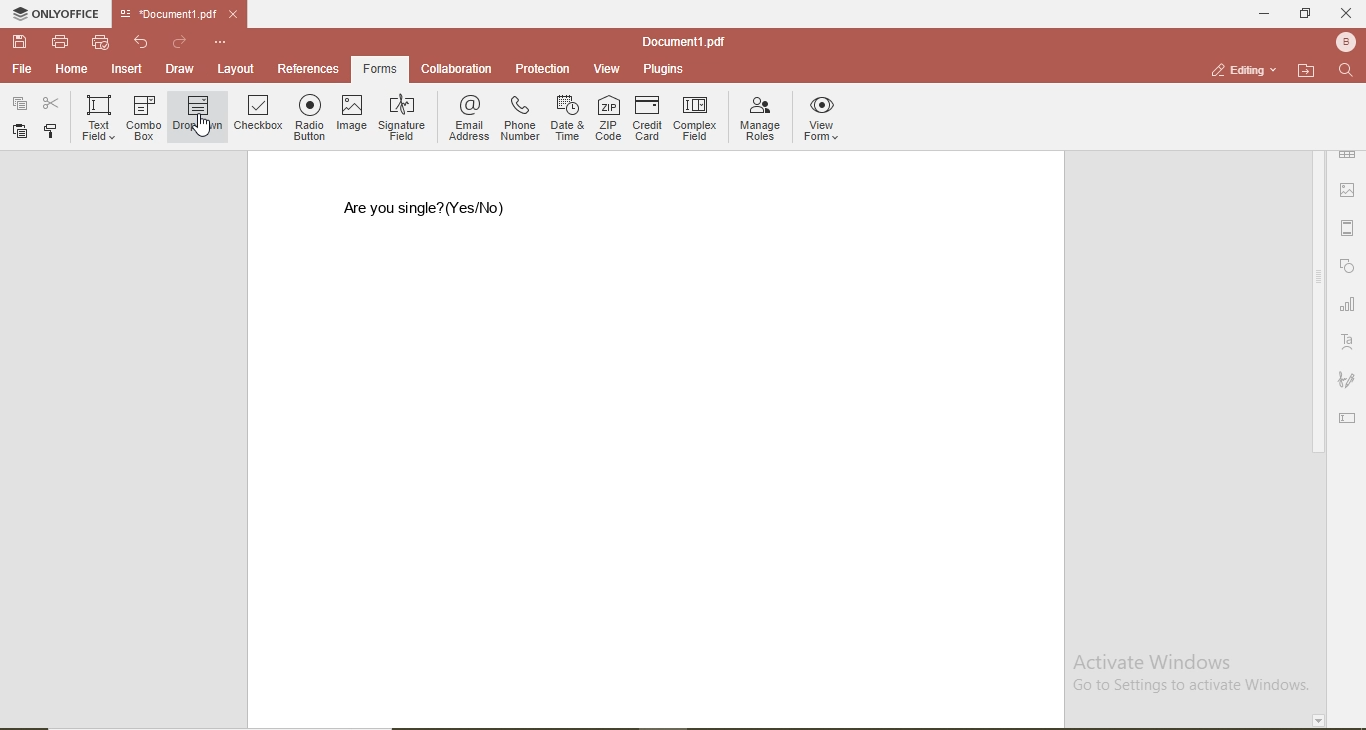 The height and width of the screenshot is (730, 1366). I want to click on date & time, so click(567, 118).